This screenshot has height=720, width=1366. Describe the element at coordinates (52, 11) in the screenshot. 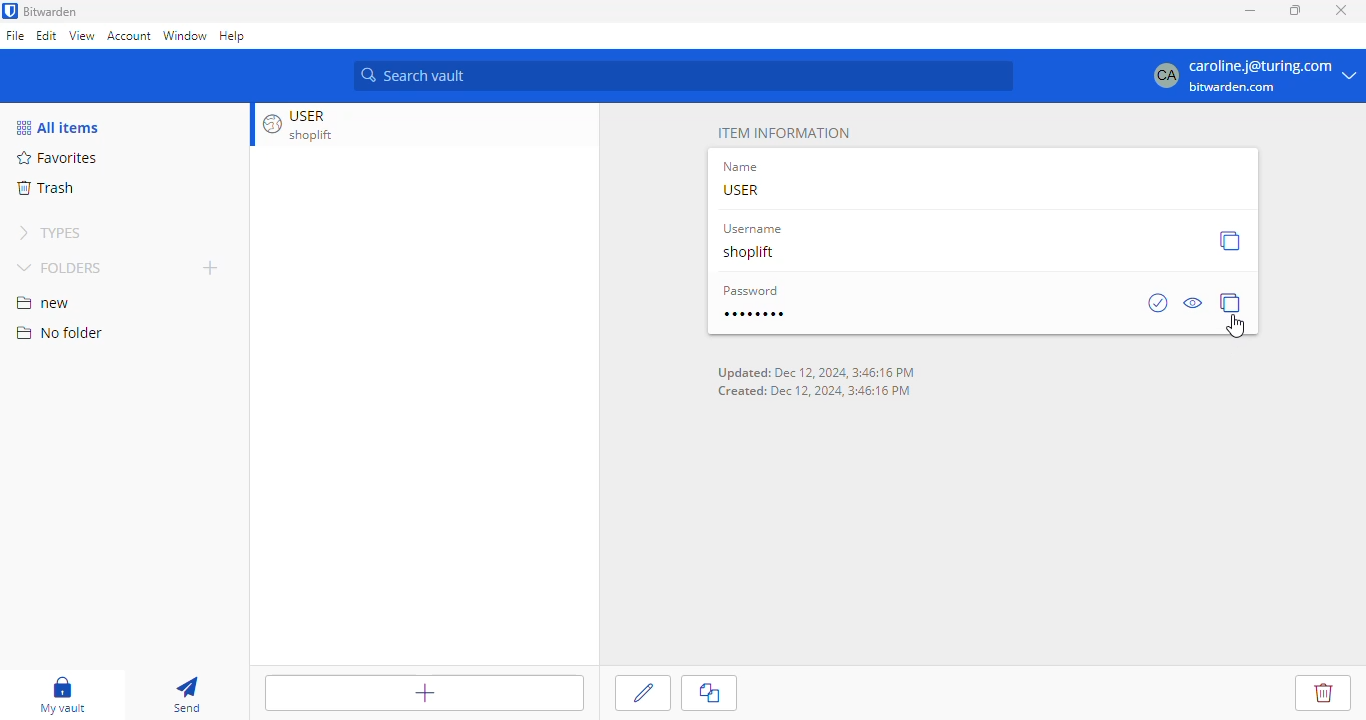

I see `bitwarden` at that location.